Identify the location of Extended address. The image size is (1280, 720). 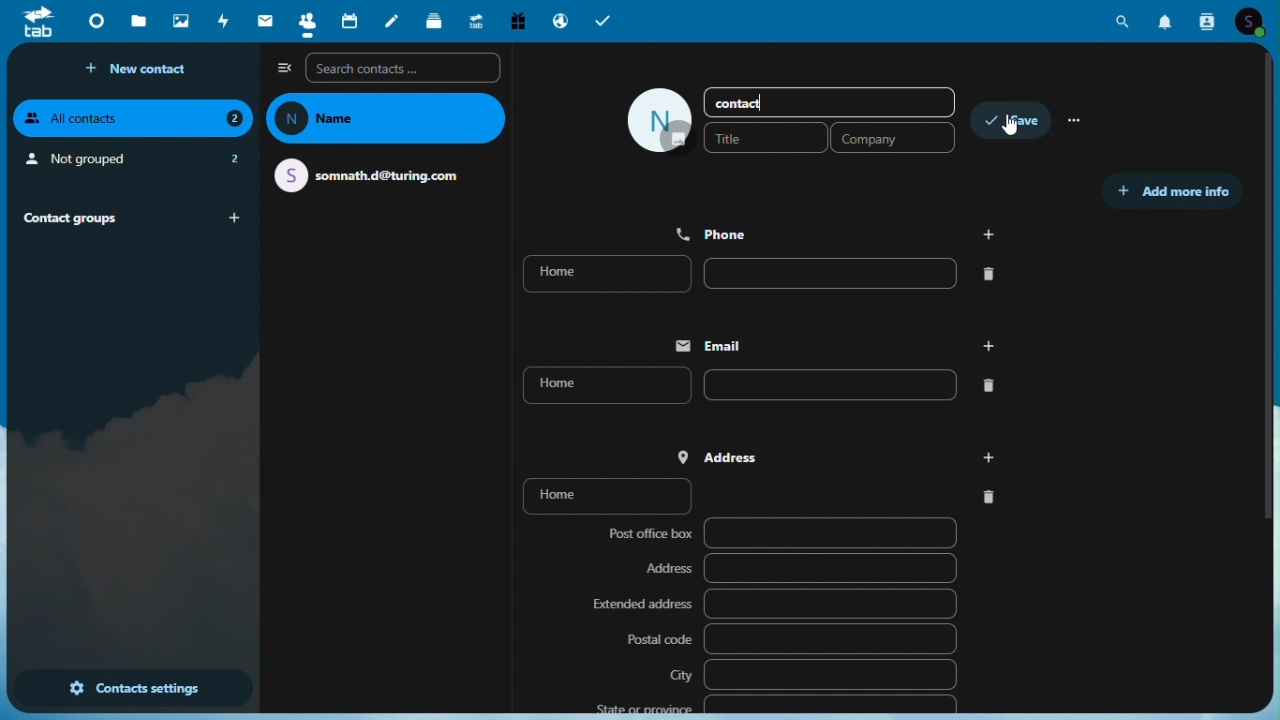
(773, 605).